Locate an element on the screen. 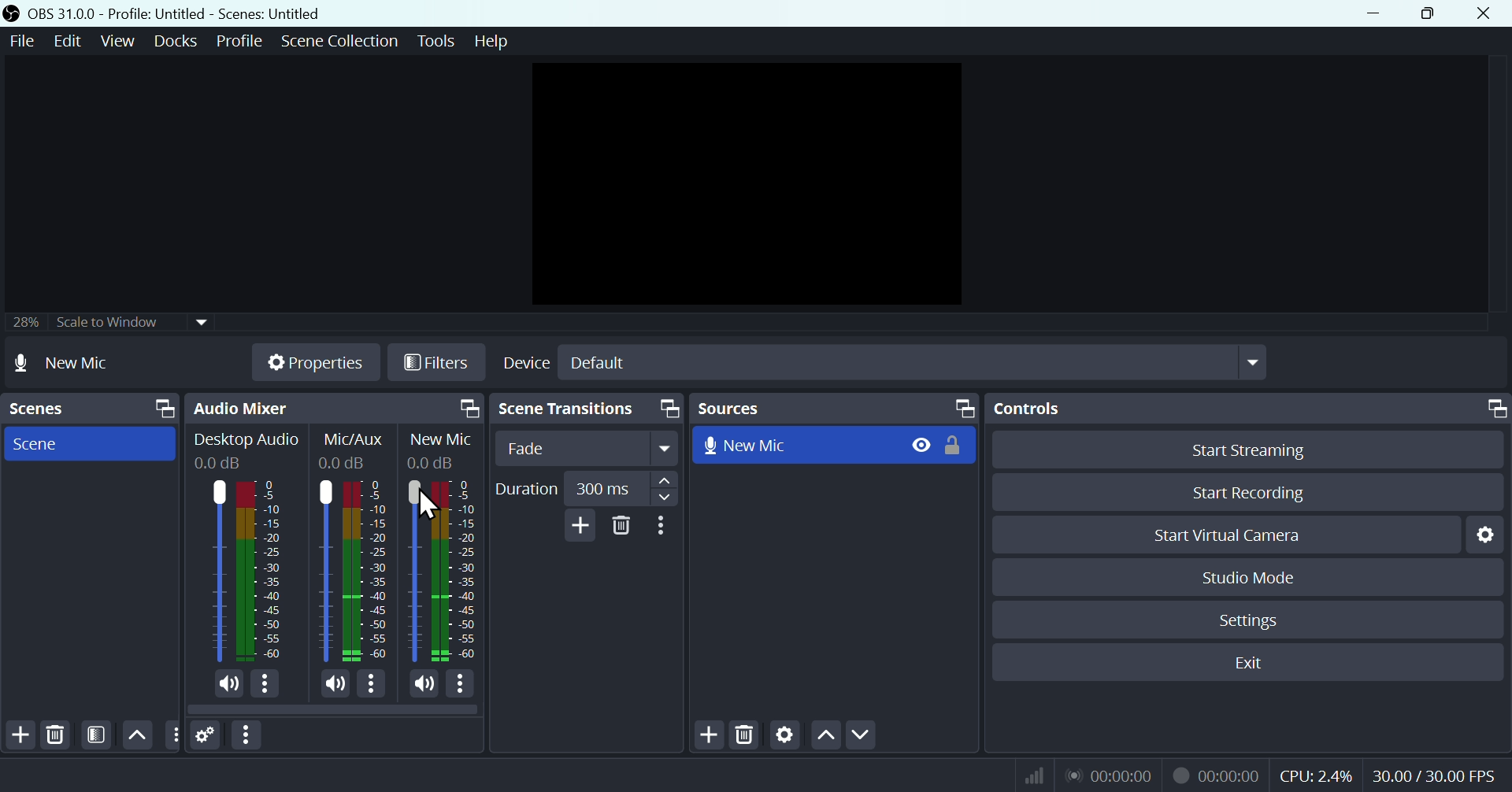  Scenes is located at coordinates (89, 409).